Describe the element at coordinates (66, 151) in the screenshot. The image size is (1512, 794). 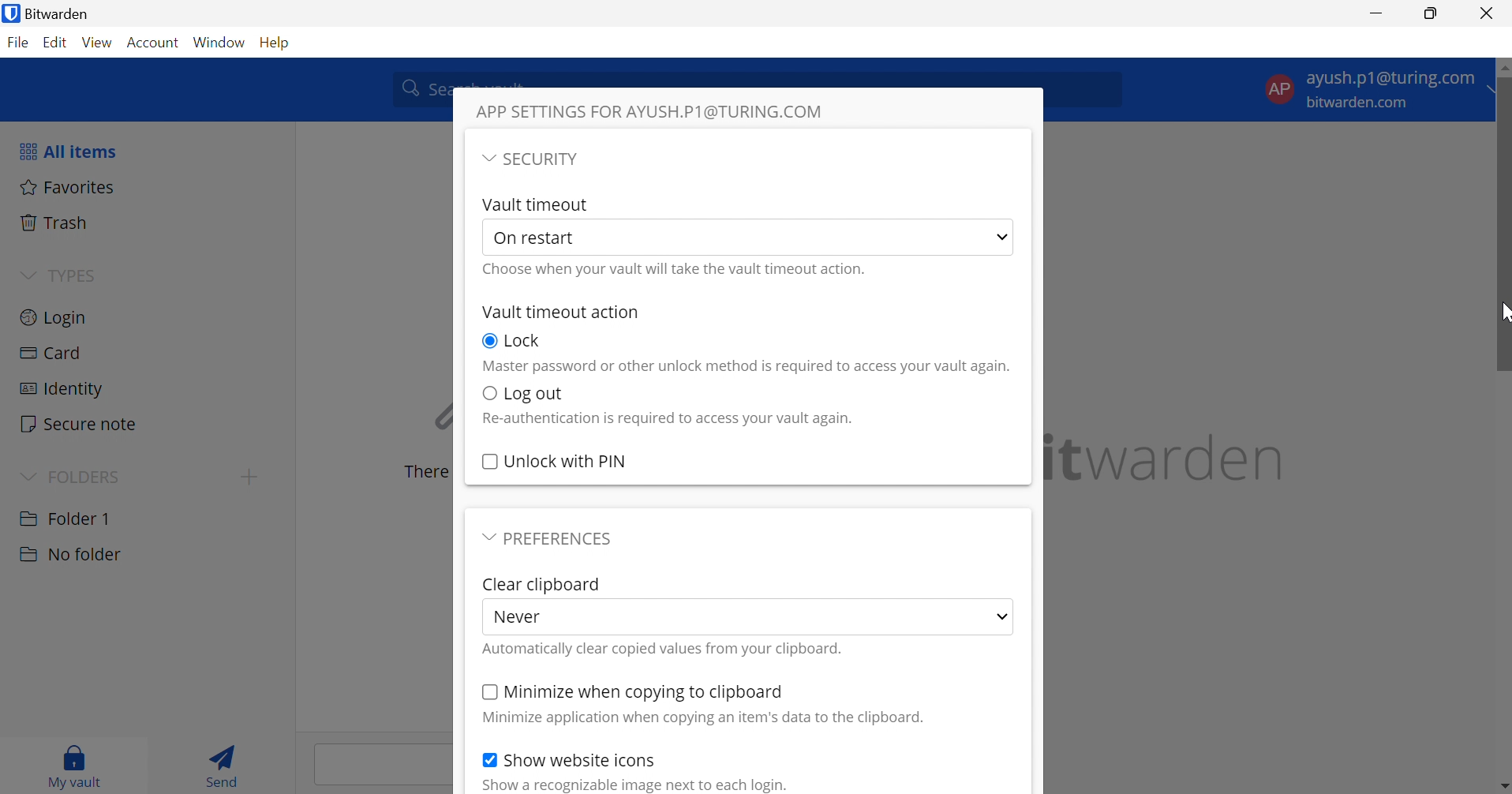
I see `All items` at that location.